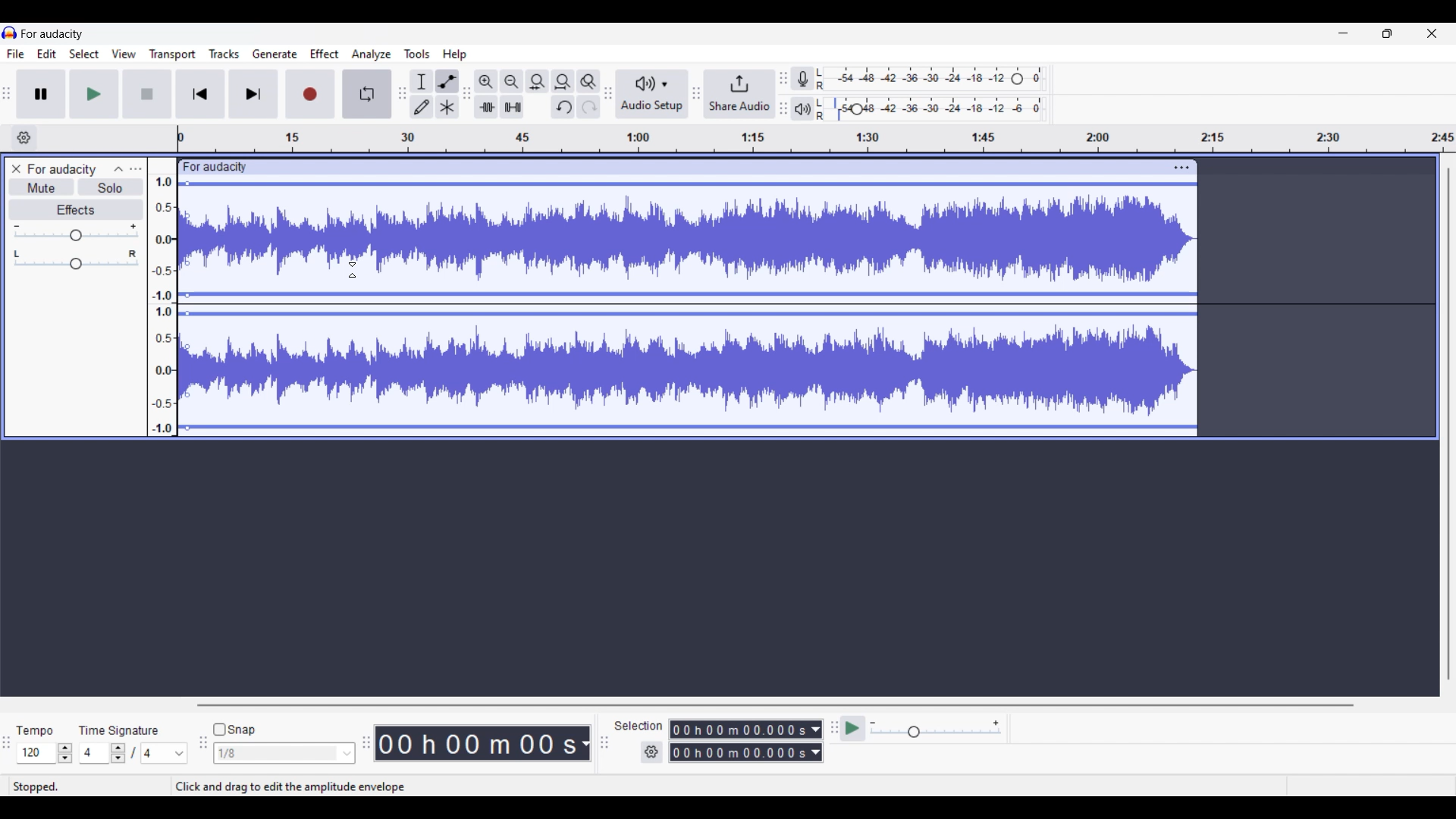 The width and height of the screenshot is (1456, 819). Describe the element at coordinates (1388, 33) in the screenshot. I see `Show in smaller tab` at that location.